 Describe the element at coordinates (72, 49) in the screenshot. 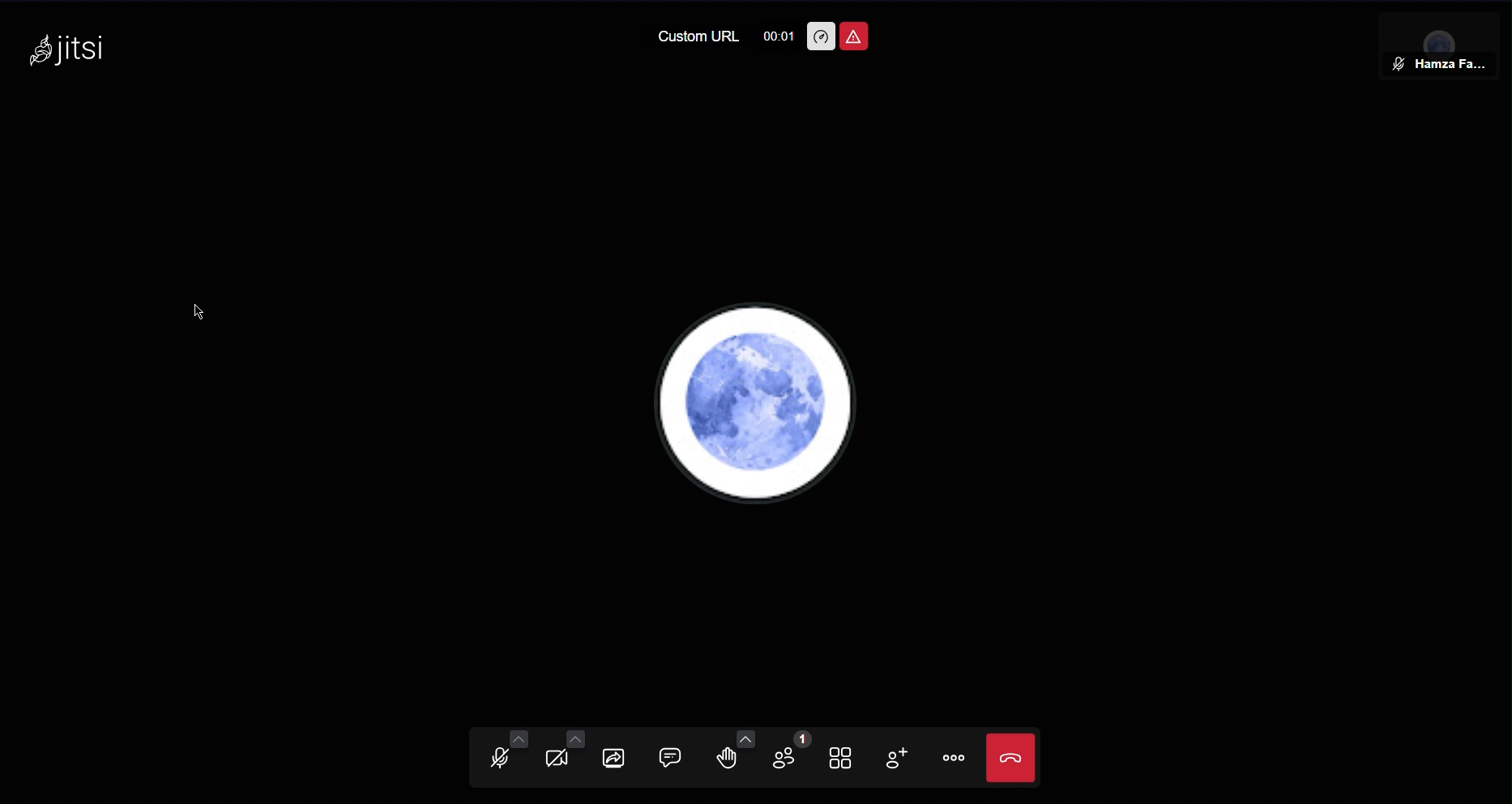

I see `Jitsi` at that location.